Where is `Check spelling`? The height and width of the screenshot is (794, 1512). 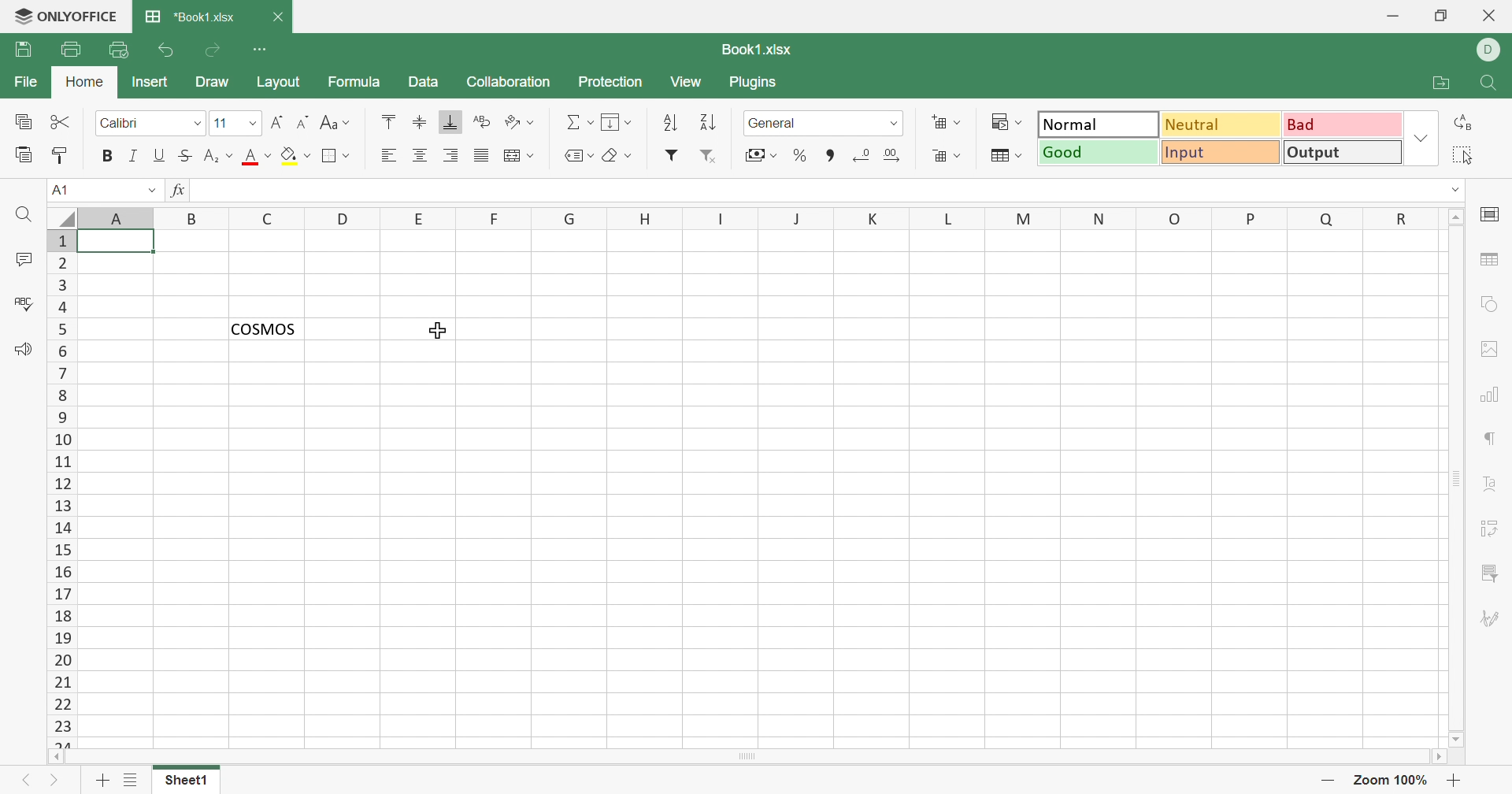
Check spelling is located at coordinates (20, 302).